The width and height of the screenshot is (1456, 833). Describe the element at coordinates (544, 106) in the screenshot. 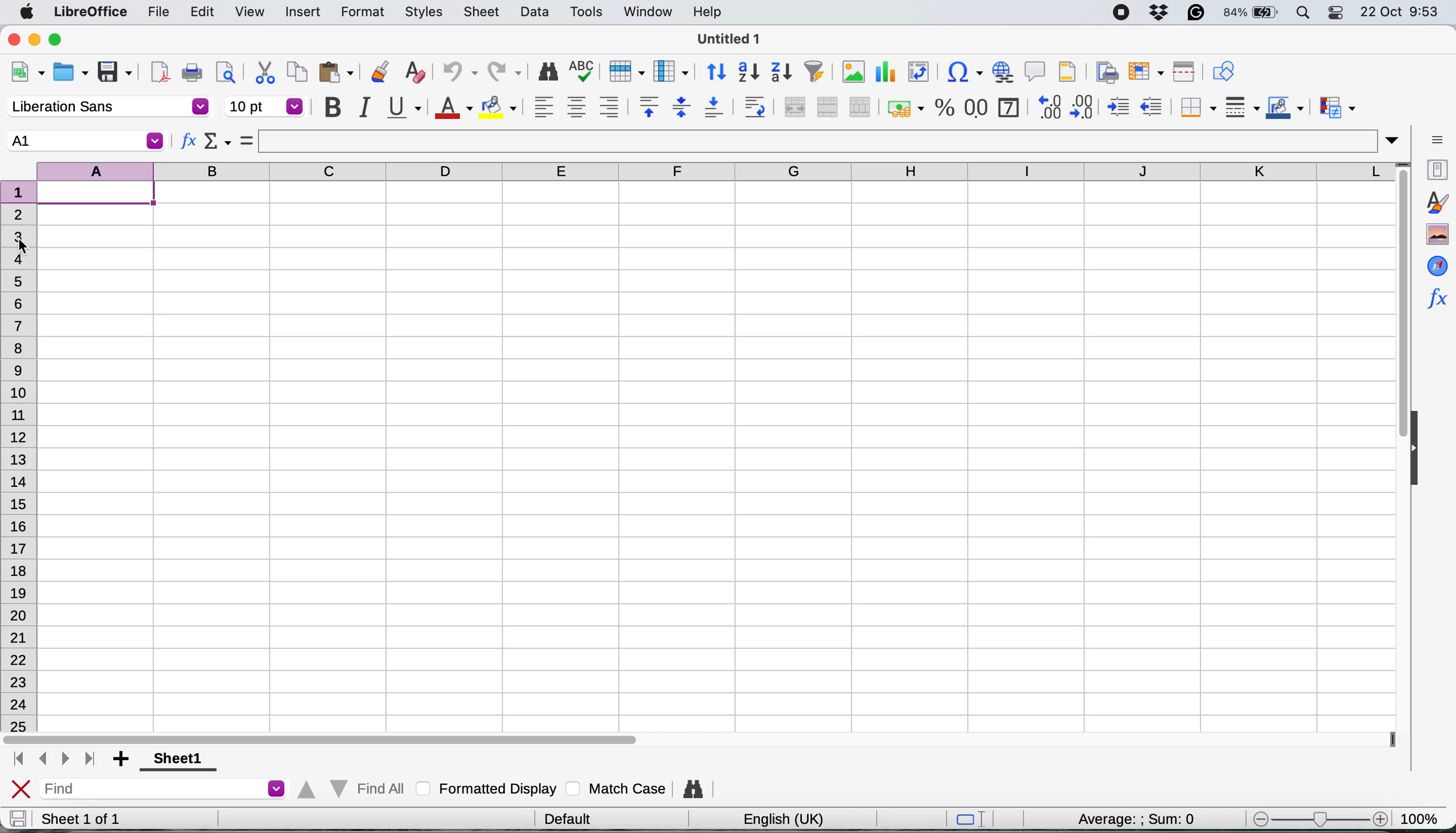

I see `align left` at that location.